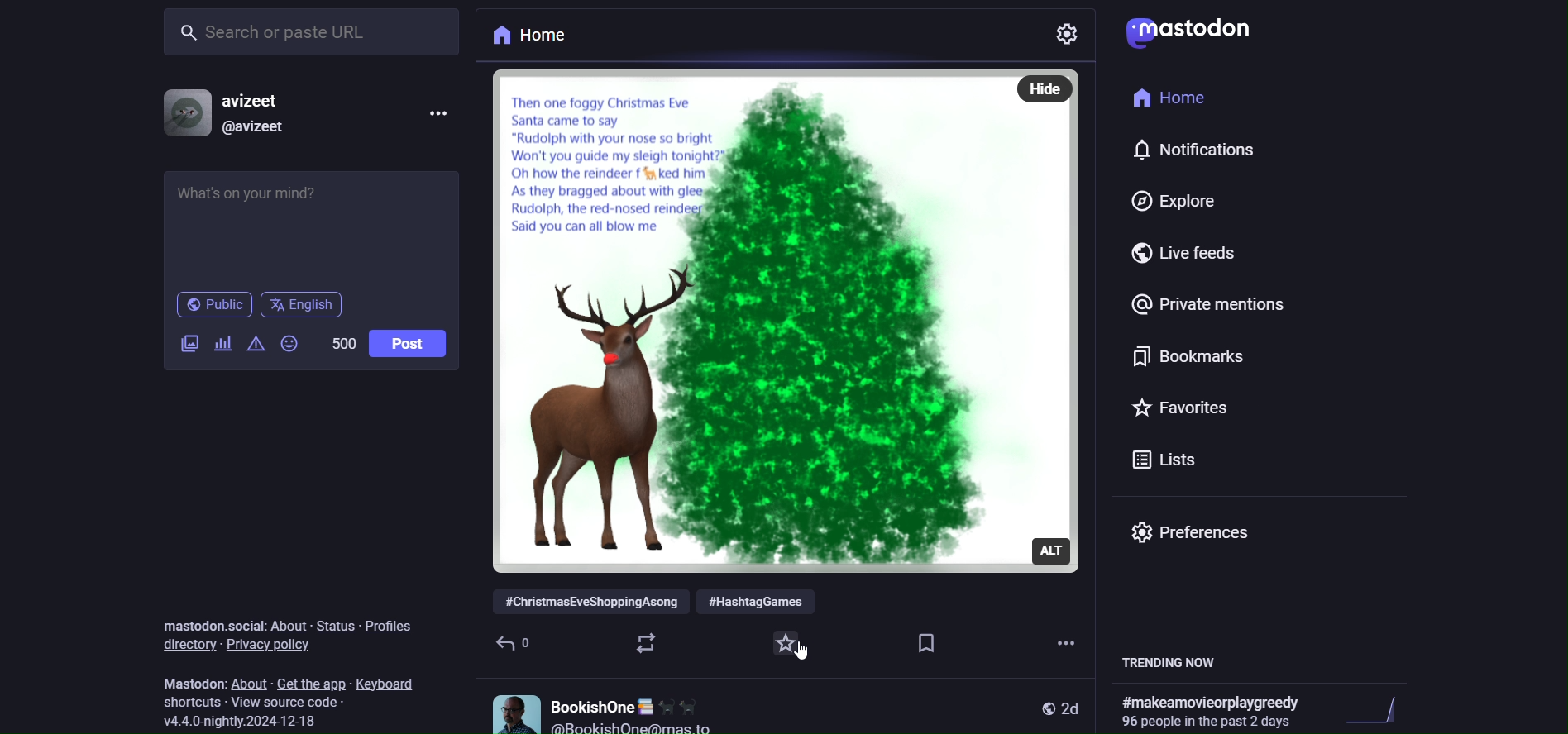 The width and height of the screenshot is (1568, 734). I want to click on private mention, so click(1207, 302).